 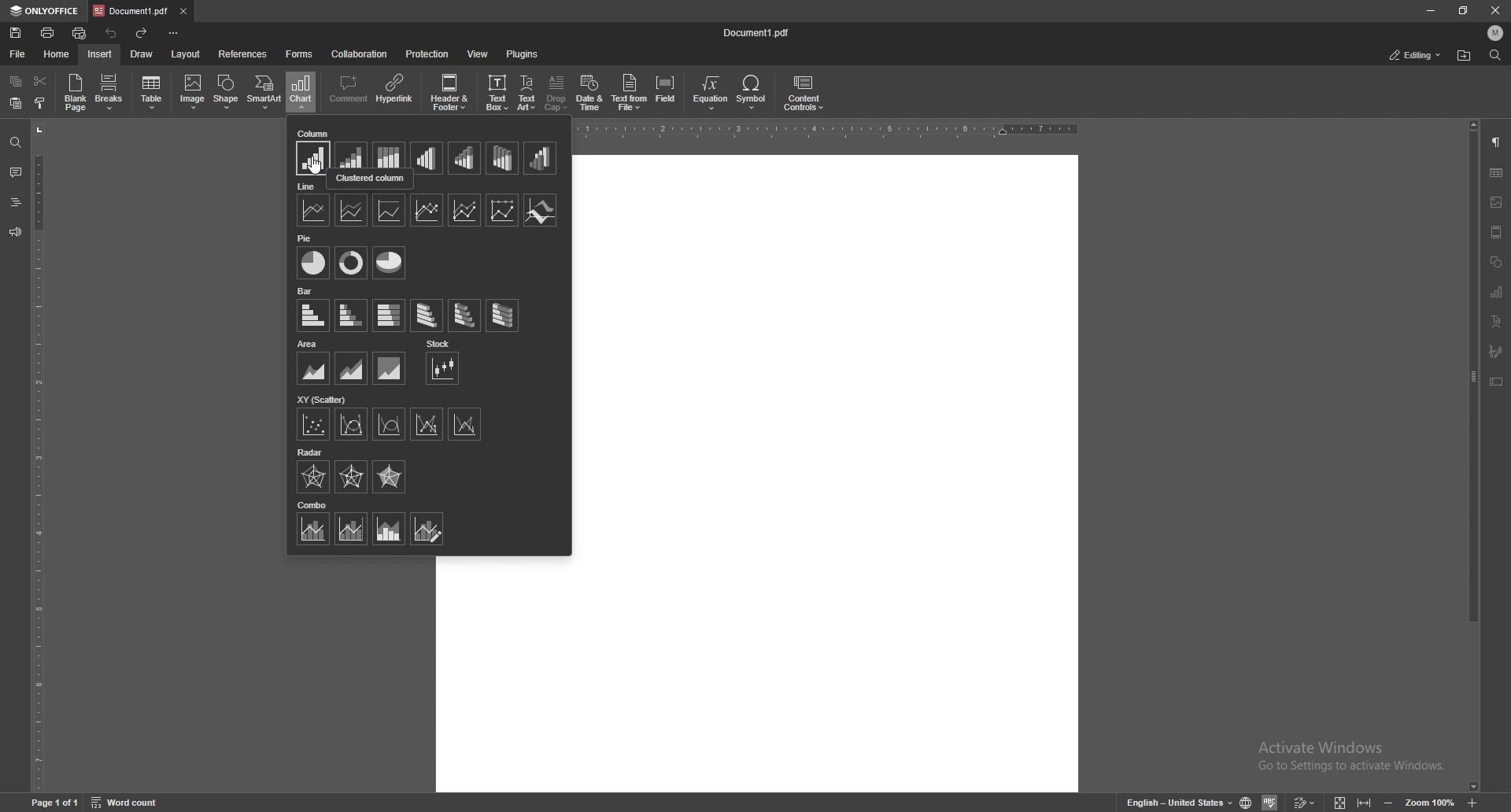 I want to click on radar, so click(x=310, y=452).